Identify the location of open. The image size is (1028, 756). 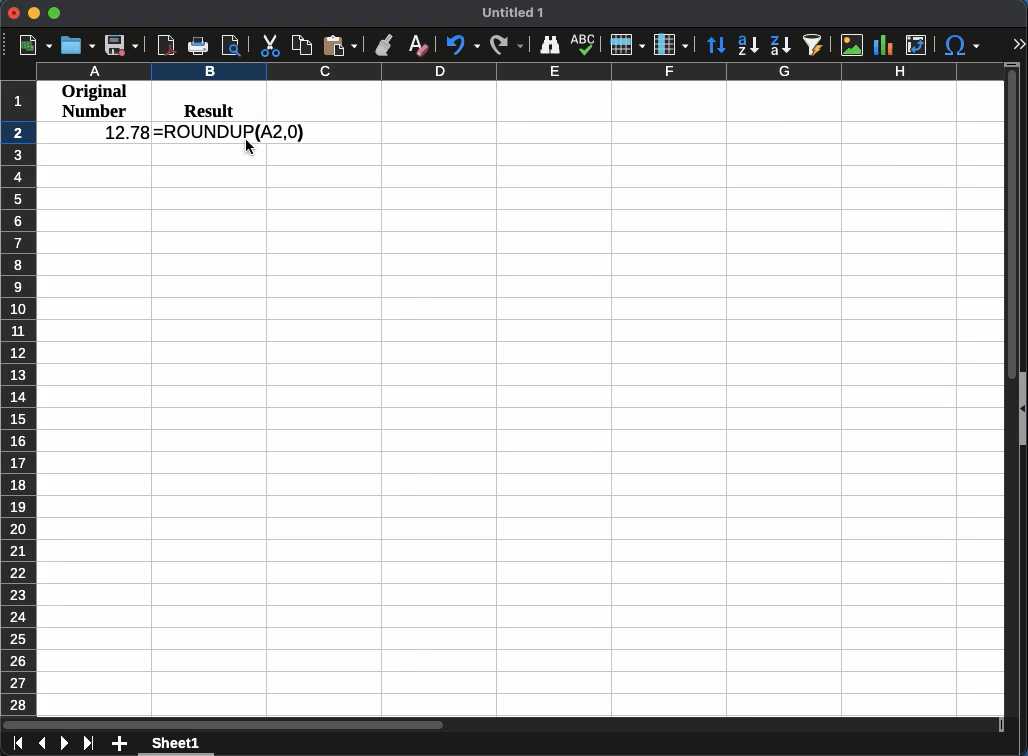
(80, 45).